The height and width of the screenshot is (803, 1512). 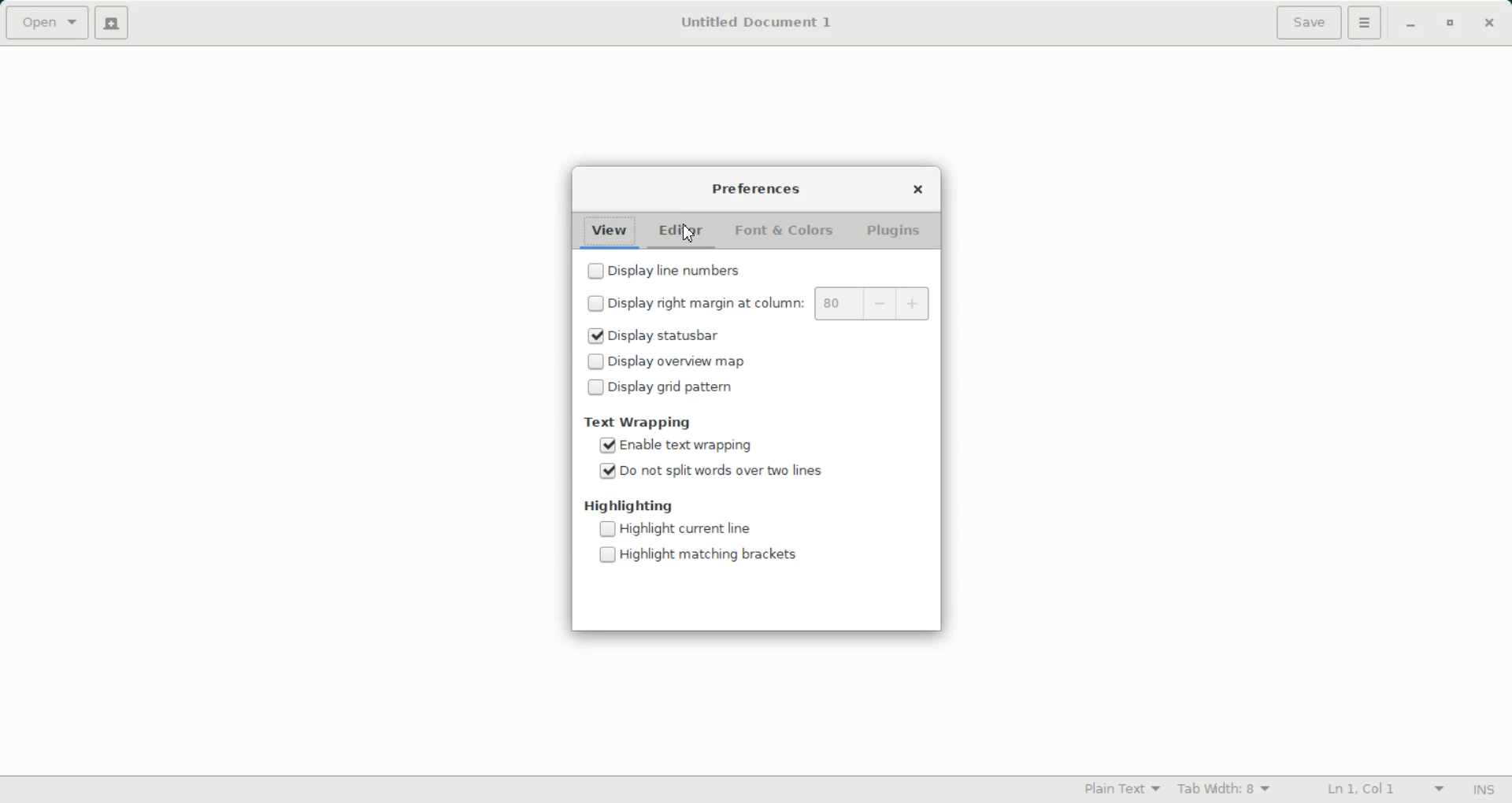 What do you see at coordinates (690, 445) in the screenshot?
I see `(un)check Enable text wrapping` at bounding box center [690, 445].